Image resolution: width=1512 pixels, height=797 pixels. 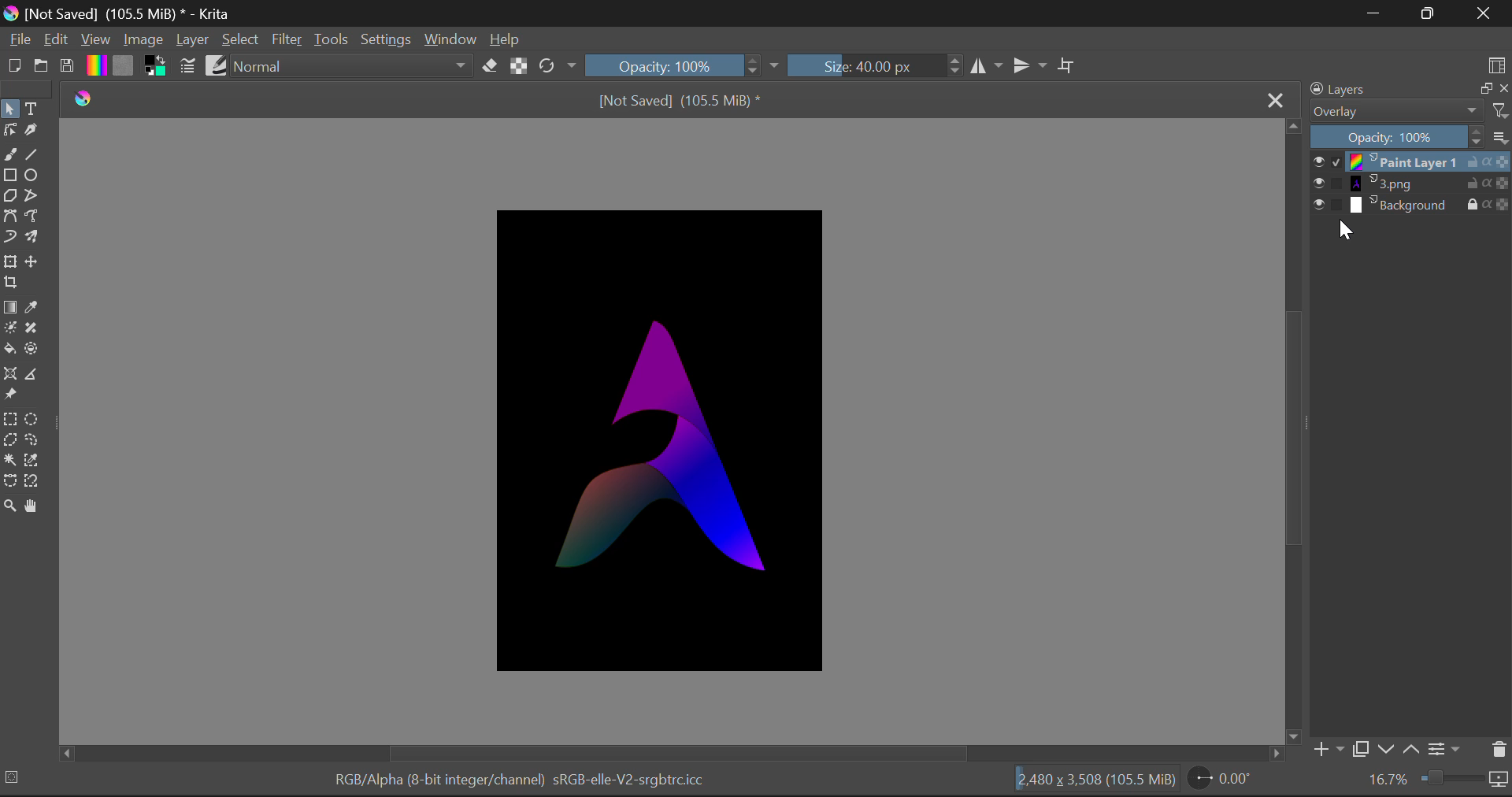 I want to click on Rectangle, so click(x=10, y=175).